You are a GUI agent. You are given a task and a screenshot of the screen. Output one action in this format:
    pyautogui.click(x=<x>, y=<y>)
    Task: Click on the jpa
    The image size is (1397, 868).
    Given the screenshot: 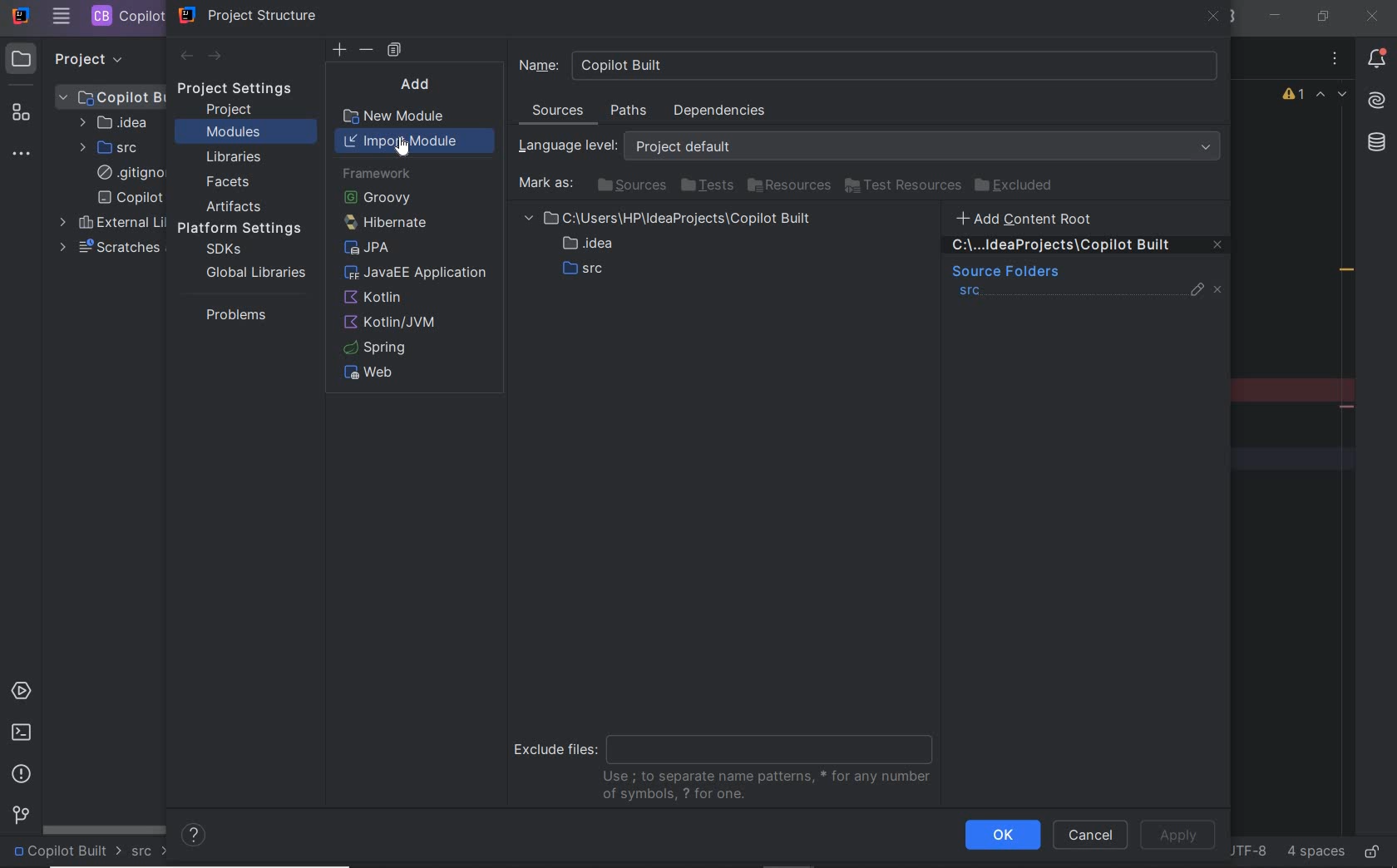 What is the action you would take?
    pyautogui.click(x=368, y=250)
    